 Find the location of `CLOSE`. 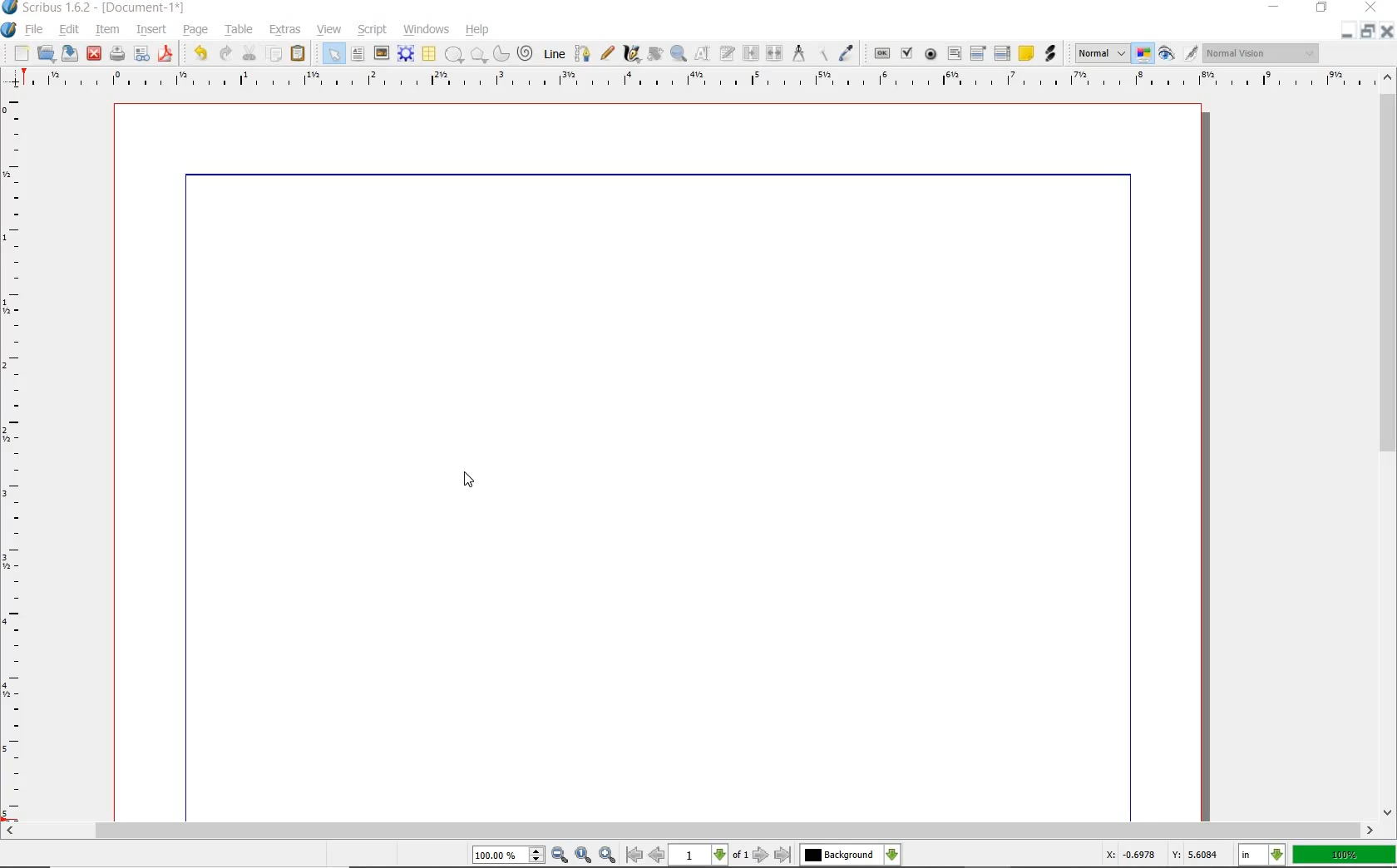

CLOSE is located at coordinates (1369, 7).